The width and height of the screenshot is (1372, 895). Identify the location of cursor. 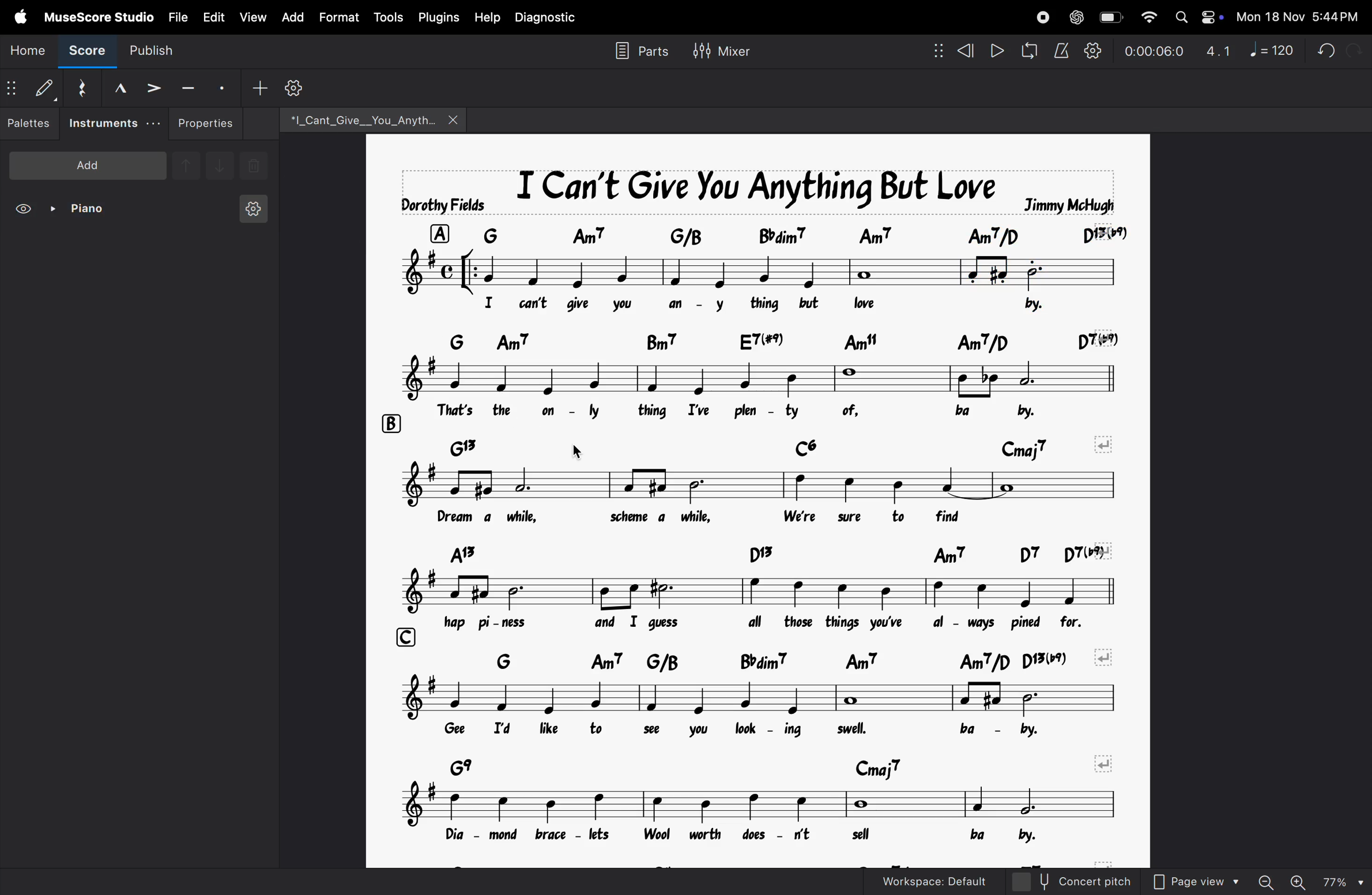
(580, 451).